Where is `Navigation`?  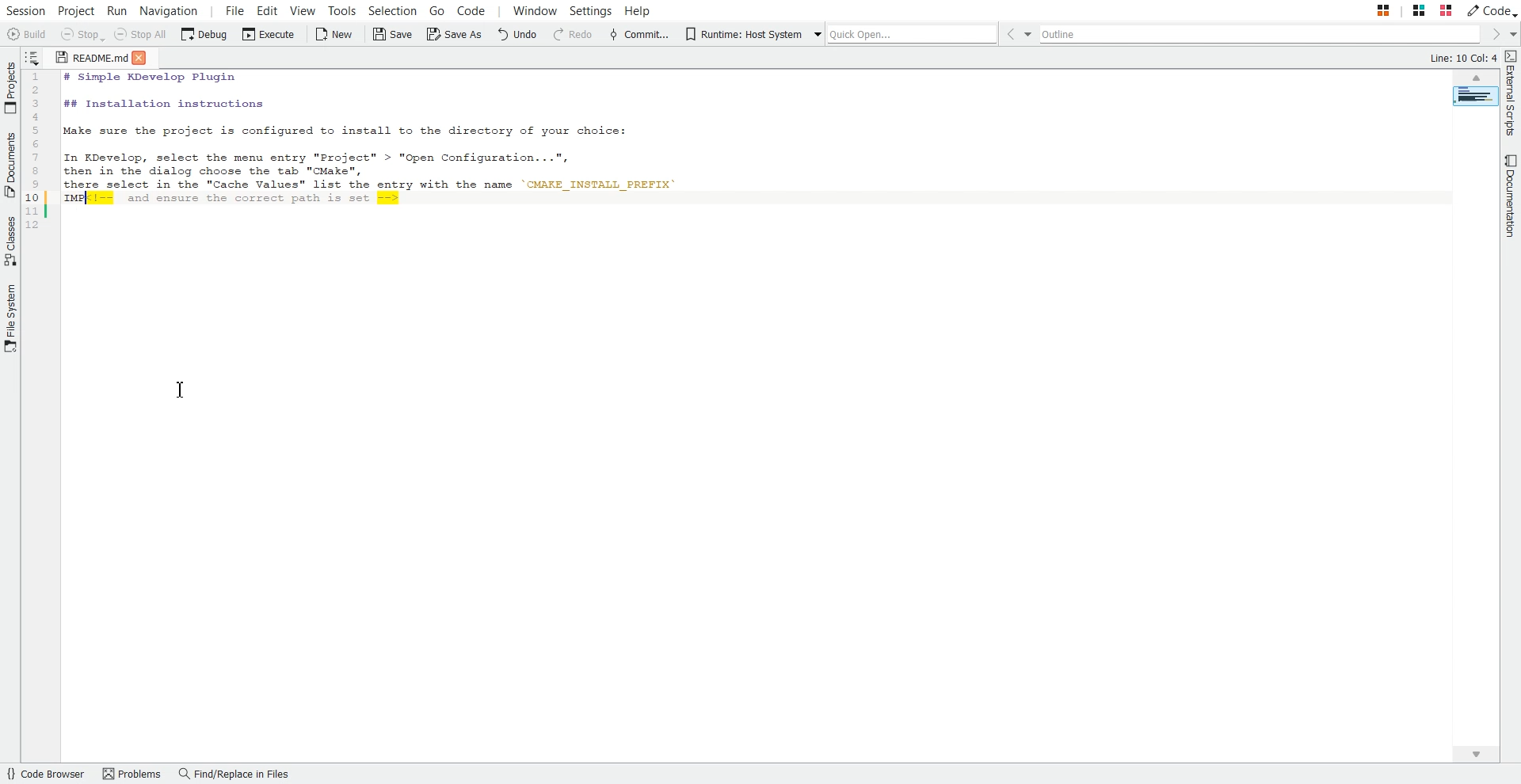
Navigation is located at coordinates (169, 10).